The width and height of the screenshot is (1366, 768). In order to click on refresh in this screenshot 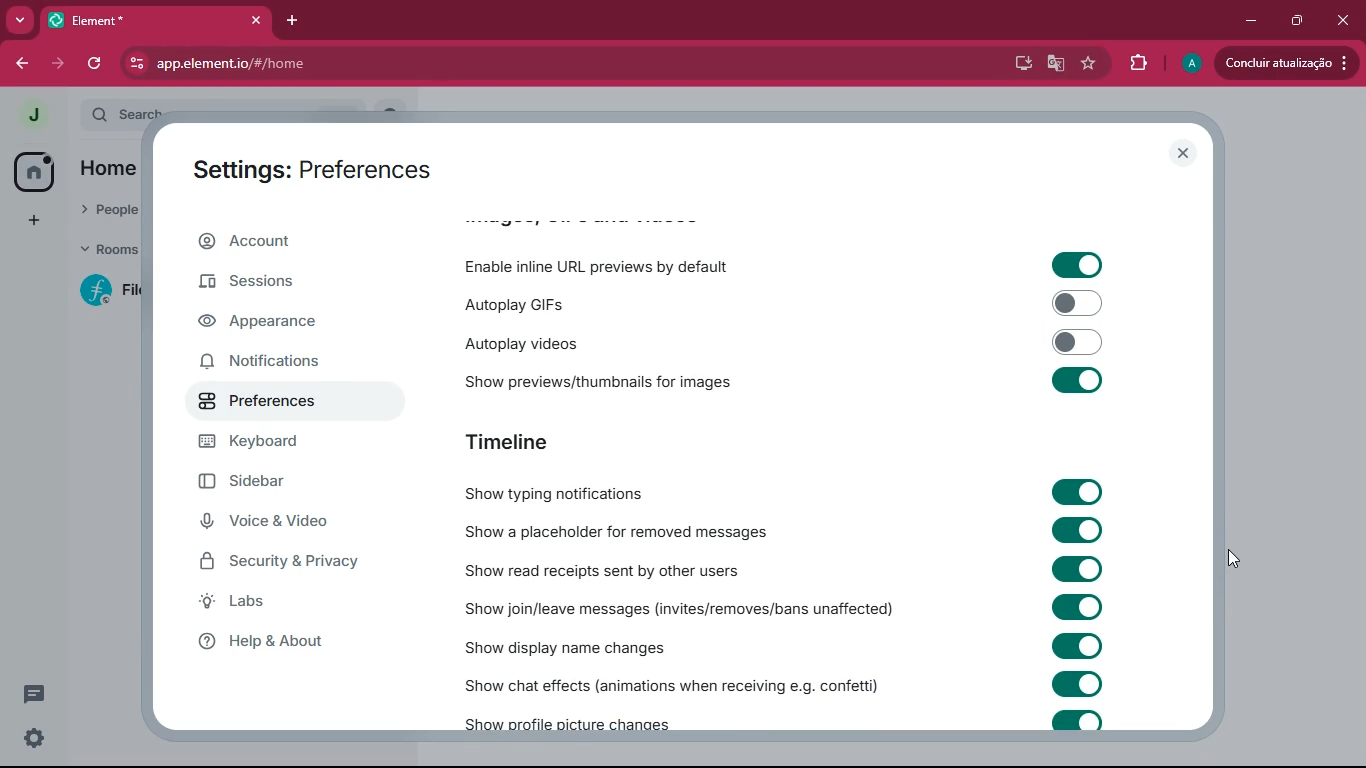, I will do `click(96, 65)`.